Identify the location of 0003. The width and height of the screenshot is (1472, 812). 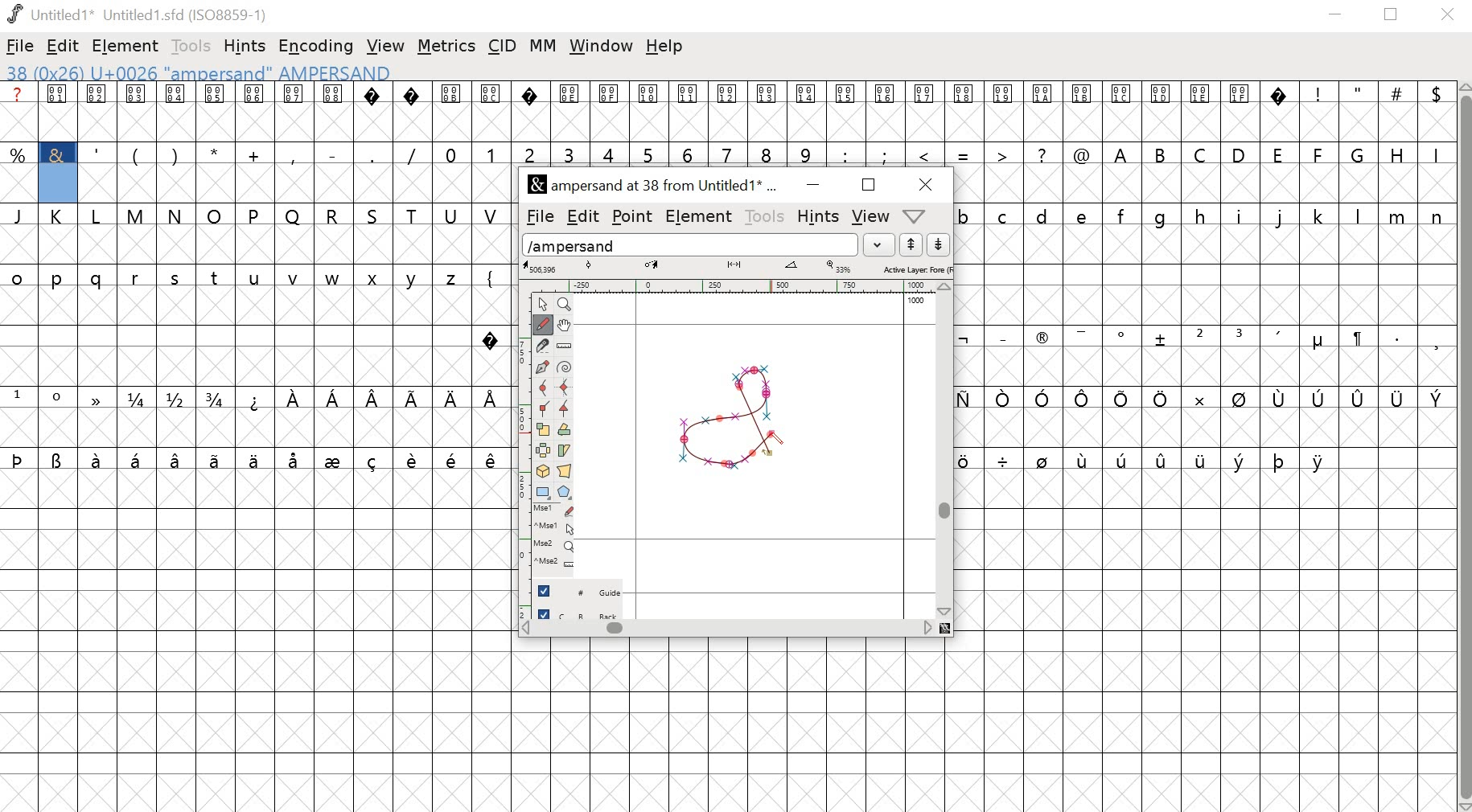
(137, 111).